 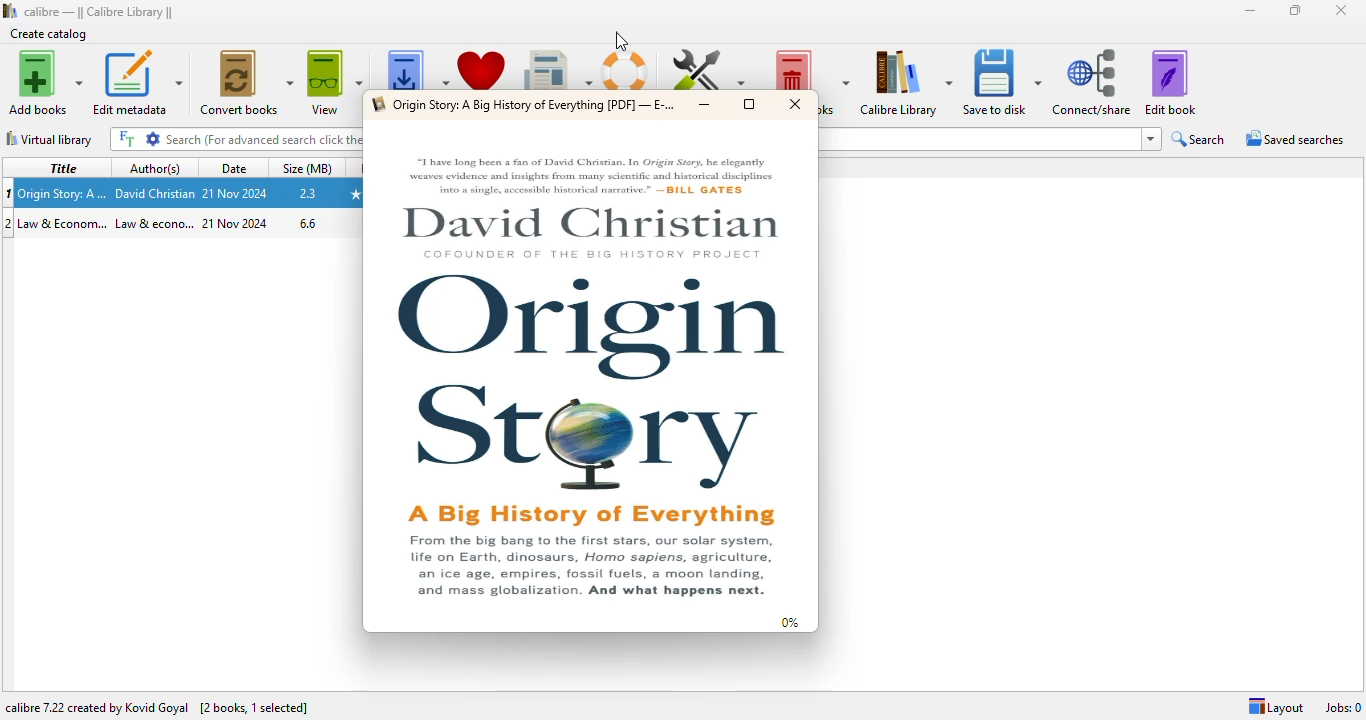 What do you see at coordinates (255, 708) in the screenshot?
I see `[2 books, 1 selected]` at bounding box center [255, 708].